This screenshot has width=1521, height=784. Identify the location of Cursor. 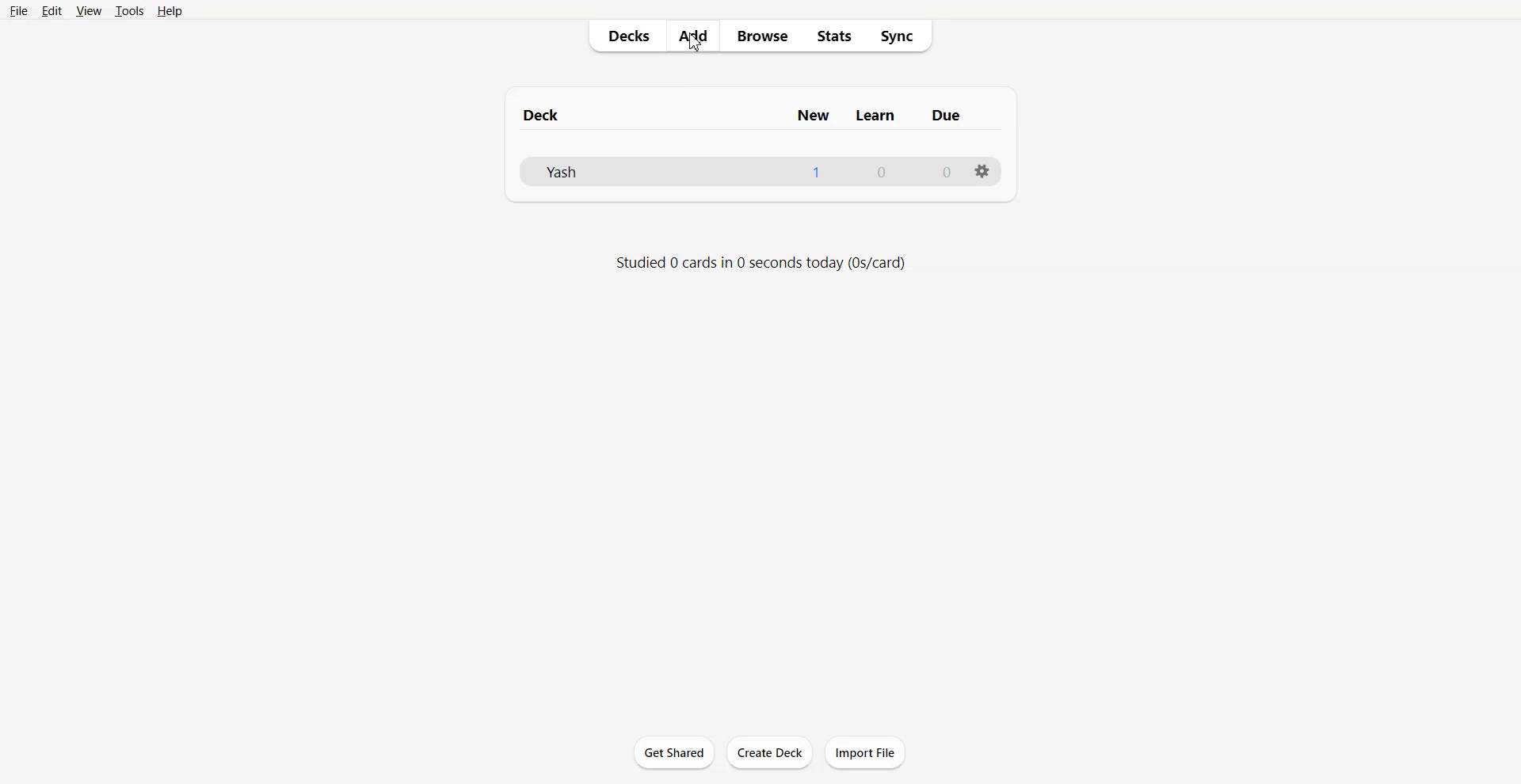
(696, 40).